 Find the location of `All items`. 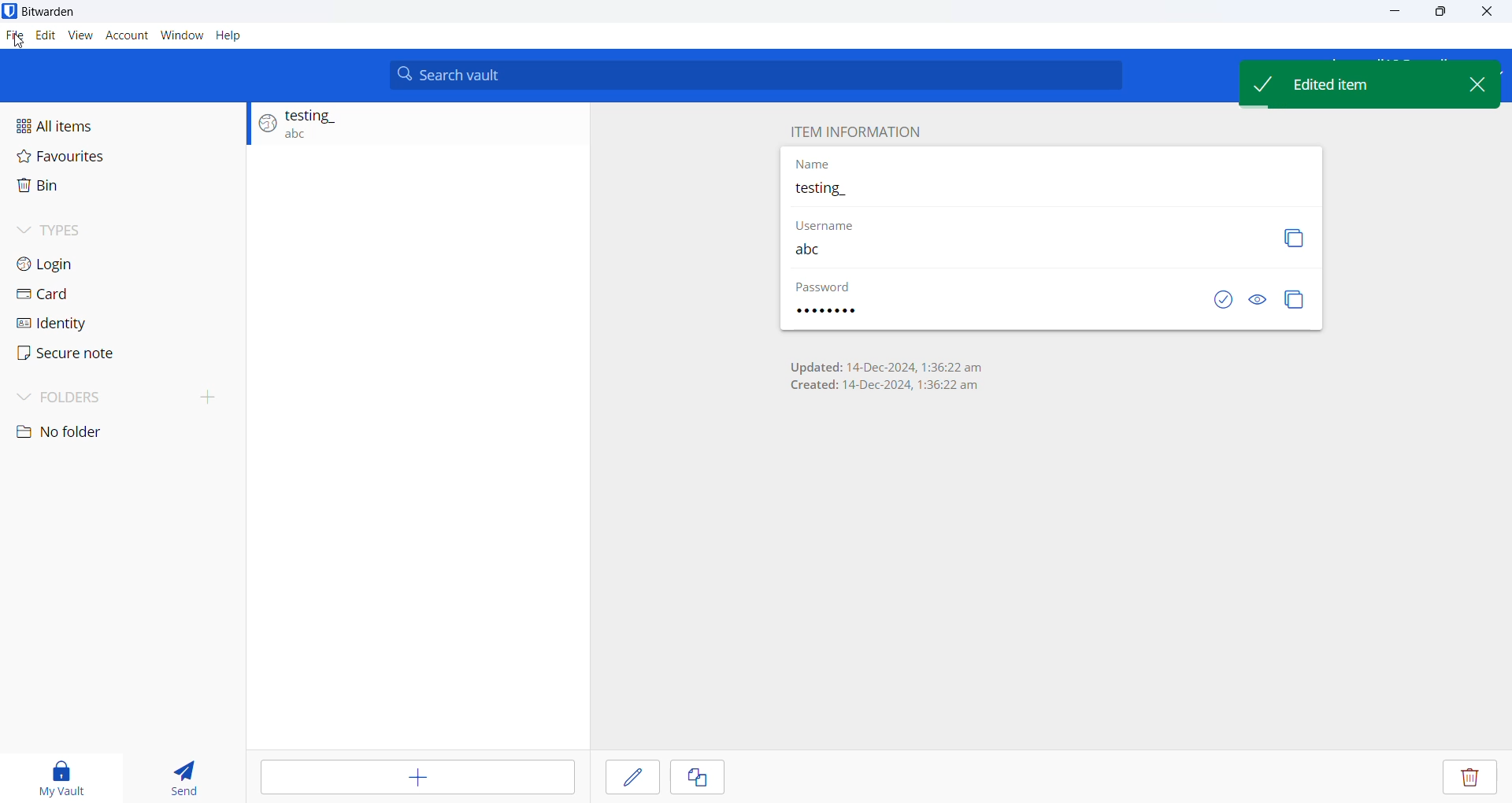

All items is located at coordinates (121, 121).